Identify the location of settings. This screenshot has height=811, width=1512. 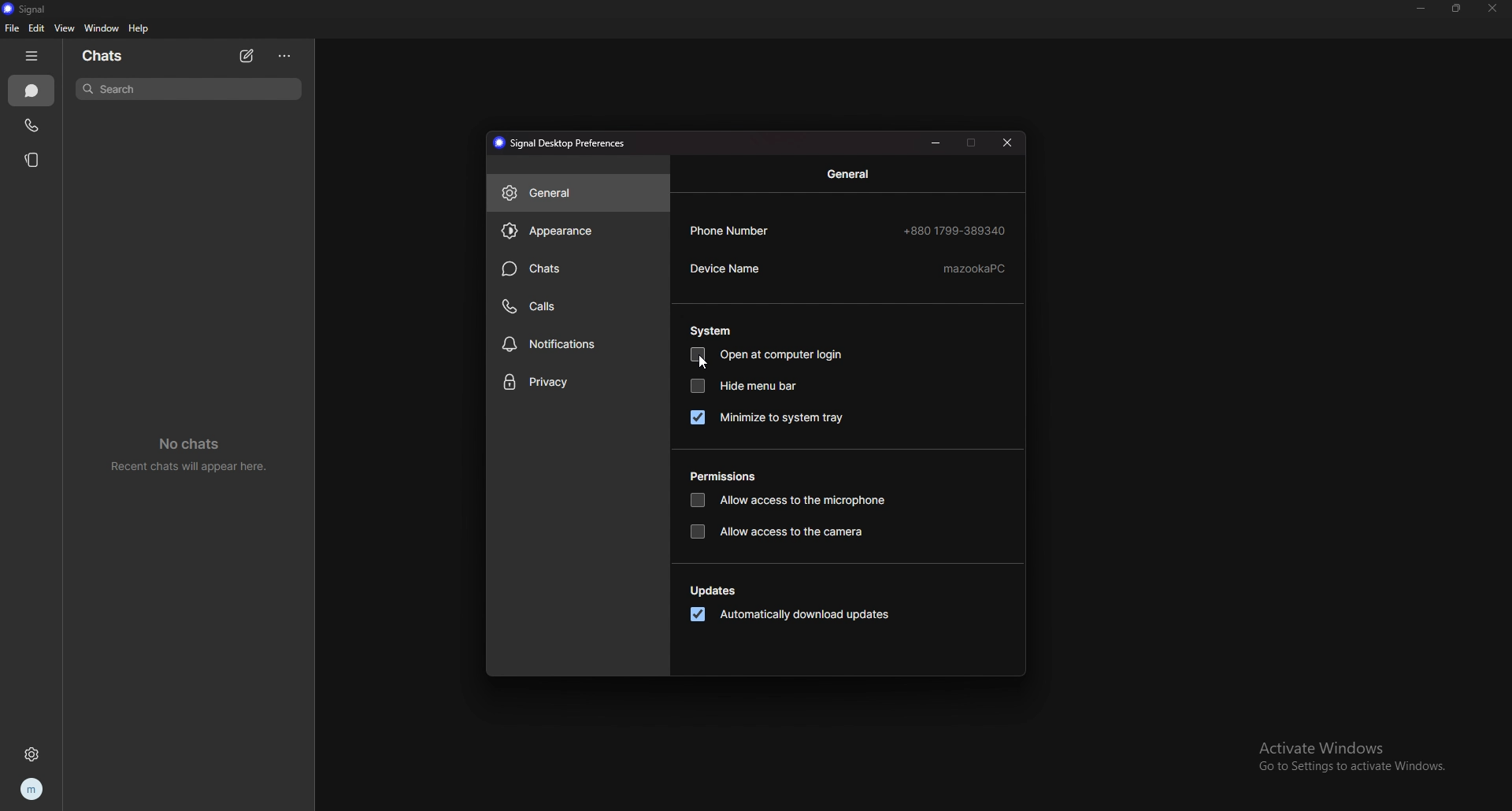
(34, 754).